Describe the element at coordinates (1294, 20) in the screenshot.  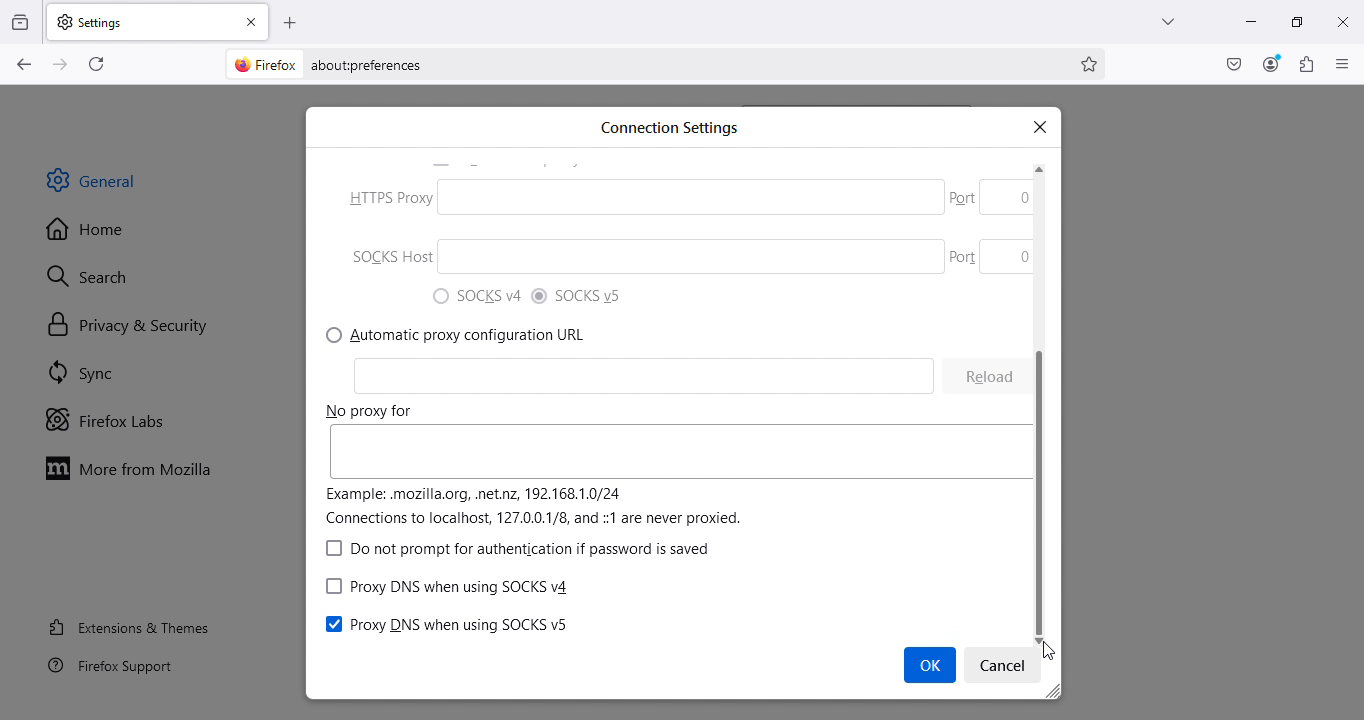
I see `Maximize` at that location.